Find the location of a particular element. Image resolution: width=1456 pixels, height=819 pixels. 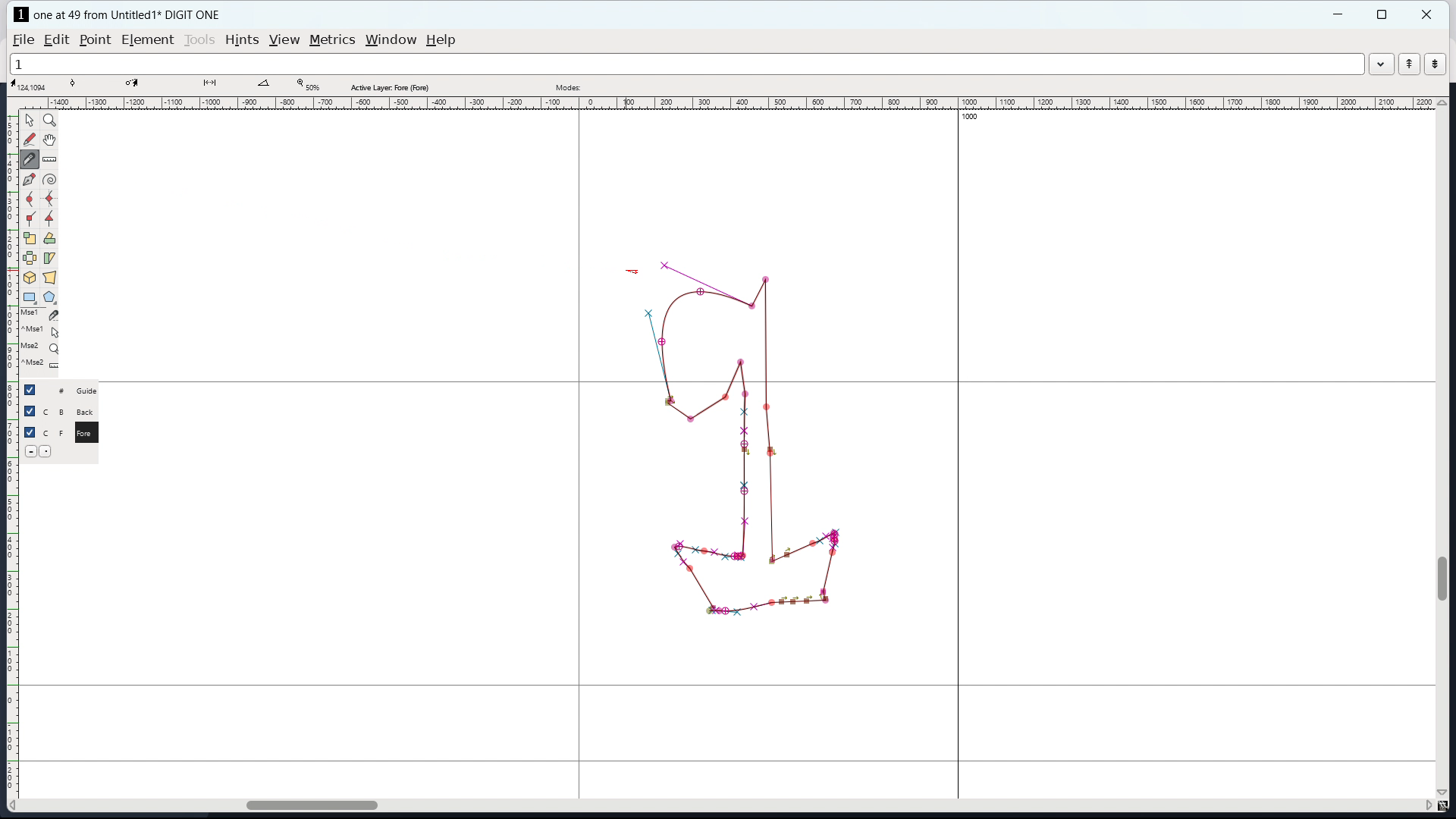

mse1 is located at coordinates (40, 313).